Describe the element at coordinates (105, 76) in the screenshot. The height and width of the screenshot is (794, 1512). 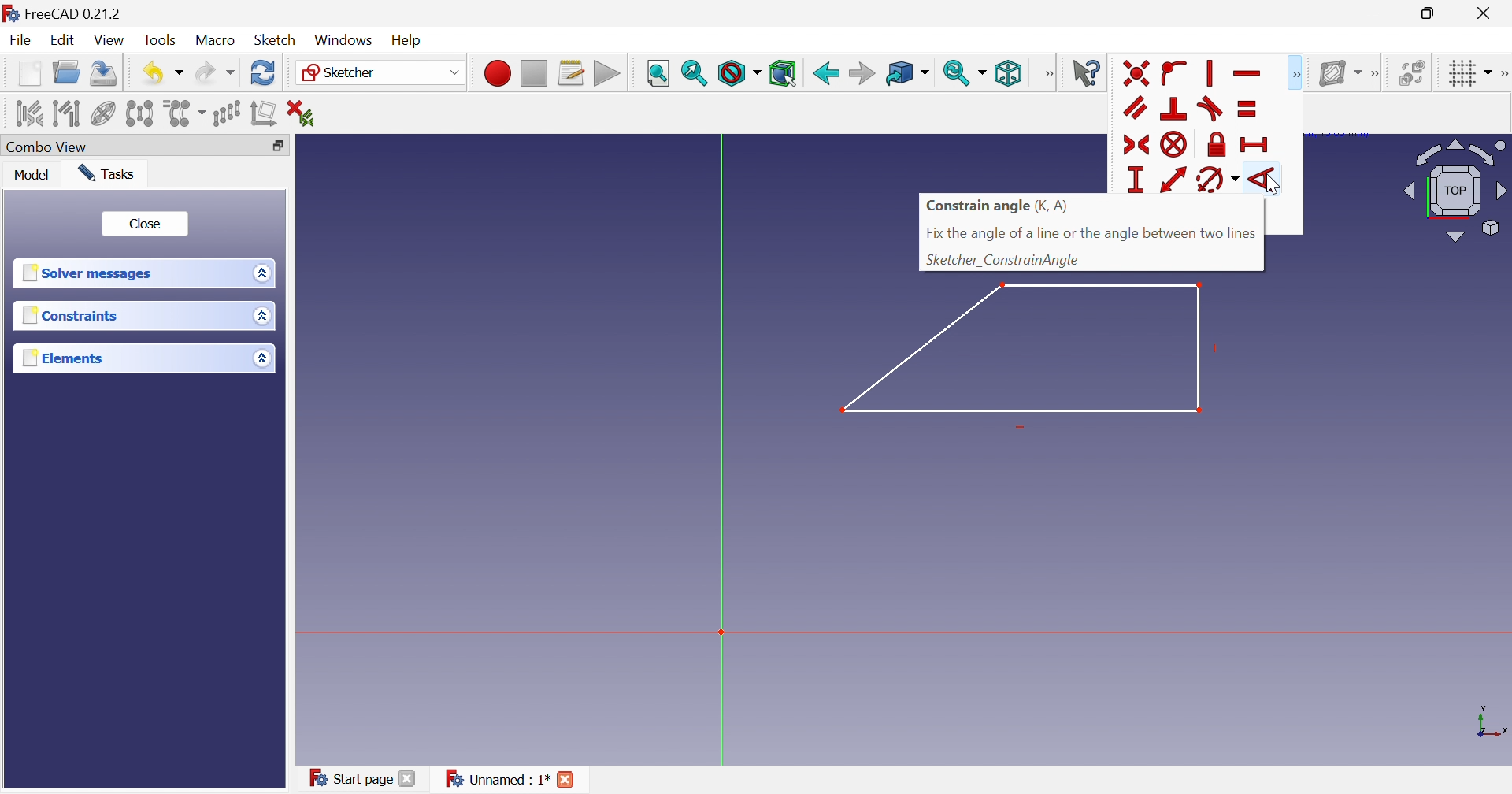
I see `Save` at that location.